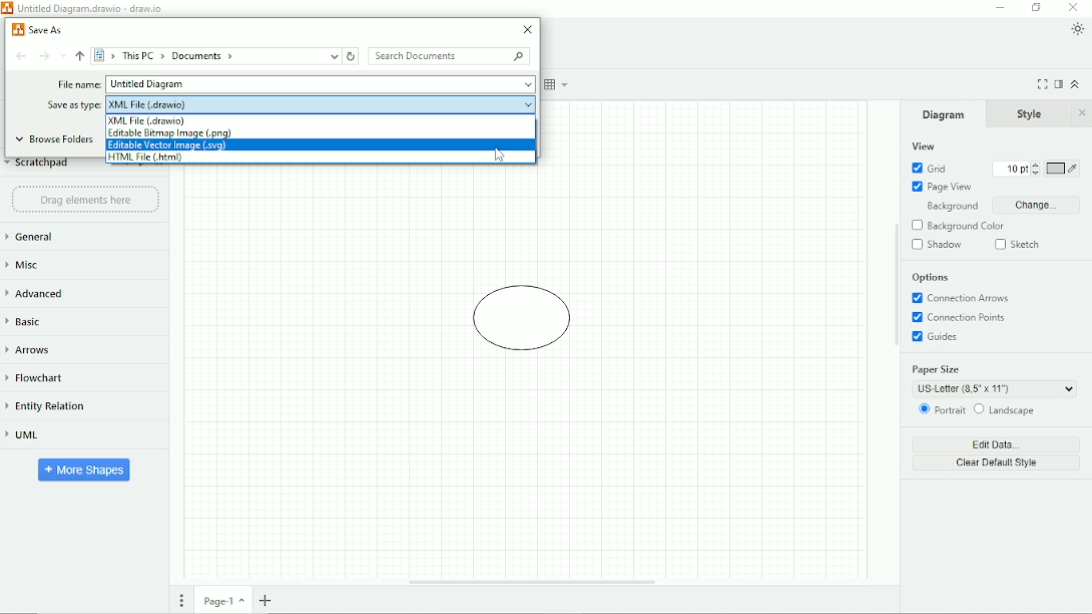  What do you see at coordinates (27, 265) in the screenshot?
I see `Misc` at bounding box center [27, 265].